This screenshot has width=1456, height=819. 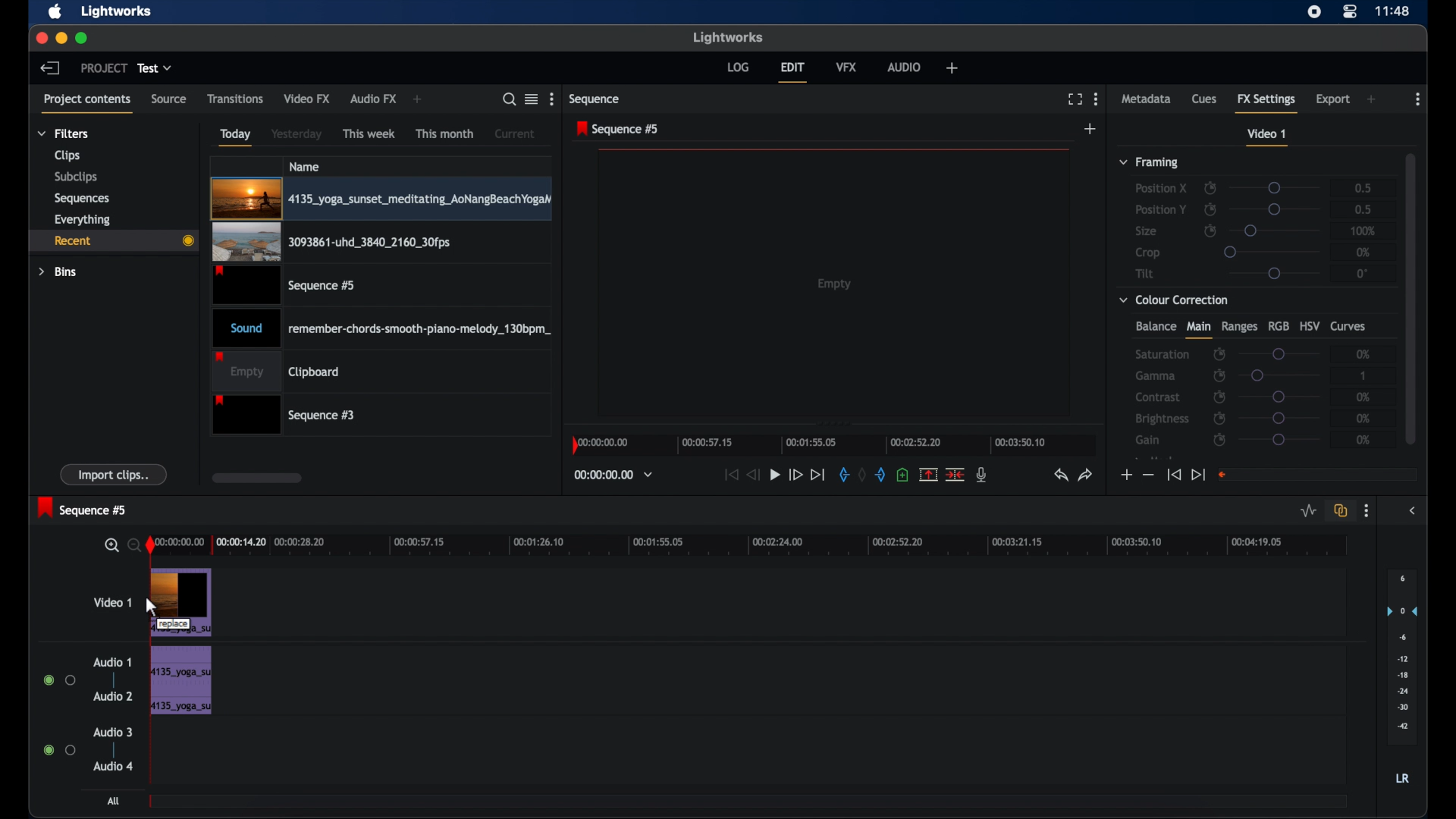 What do you see at coordinates (755, 475) in the screenshot?
I see `rewind` at bounding box center [755, 475].